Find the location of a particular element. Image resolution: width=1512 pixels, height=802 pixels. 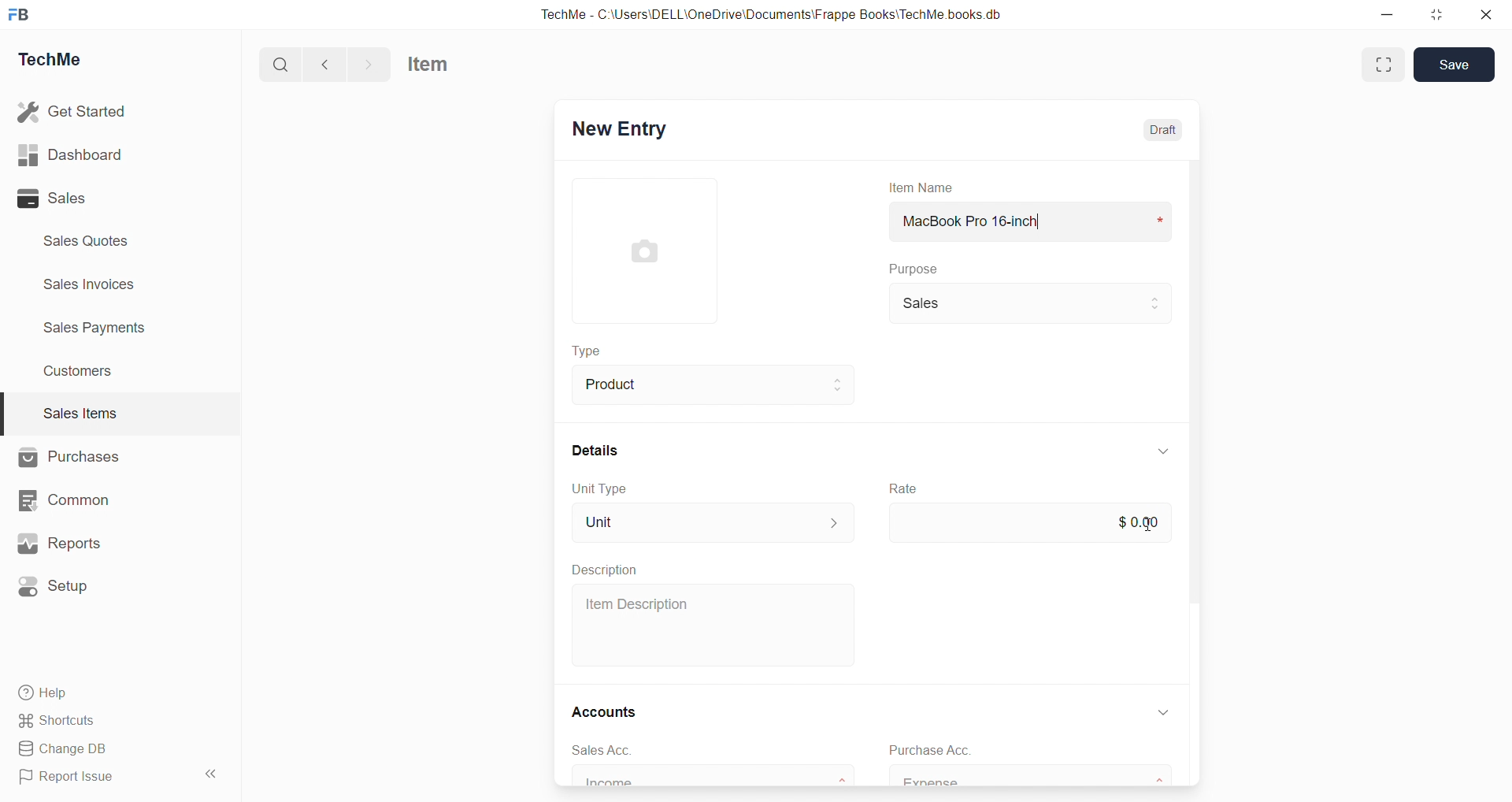

Sales Payments is located at coordinates (96, 328).